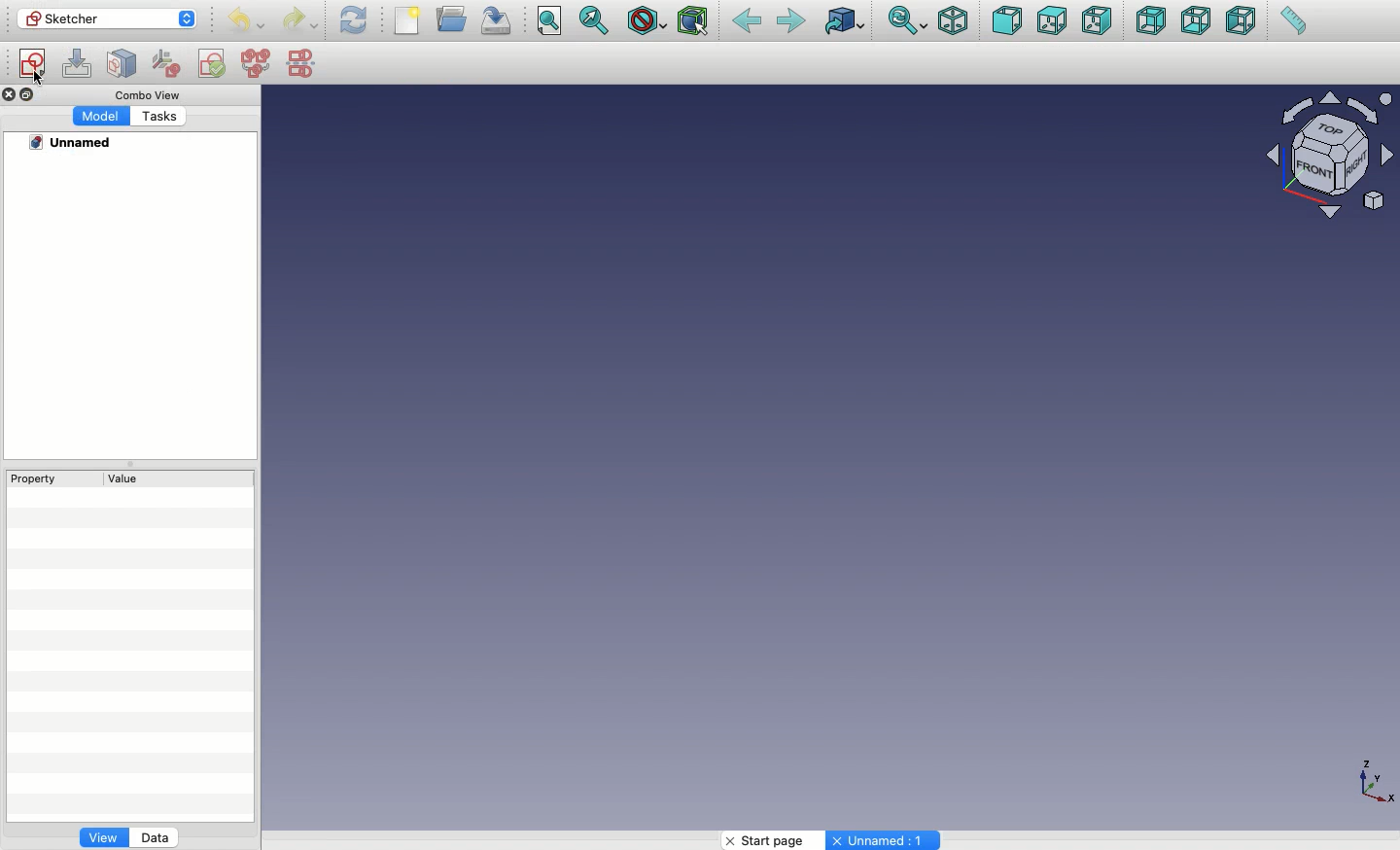  Describe the element at coordinates (353, 20) in the screenshot. I see `Refresh` at that location.